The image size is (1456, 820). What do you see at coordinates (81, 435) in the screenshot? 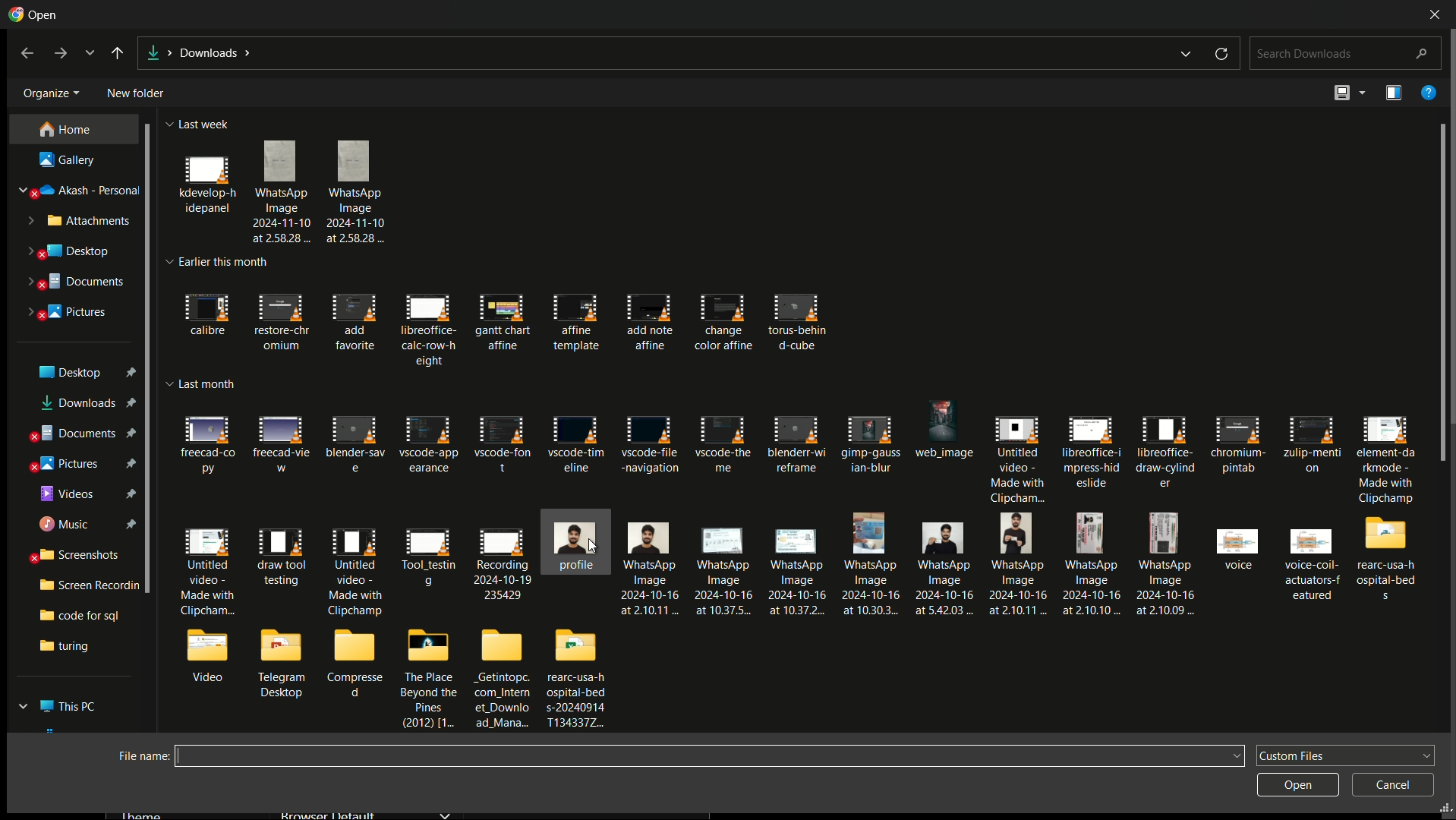
I see `document` at bounding box center [81, 435].